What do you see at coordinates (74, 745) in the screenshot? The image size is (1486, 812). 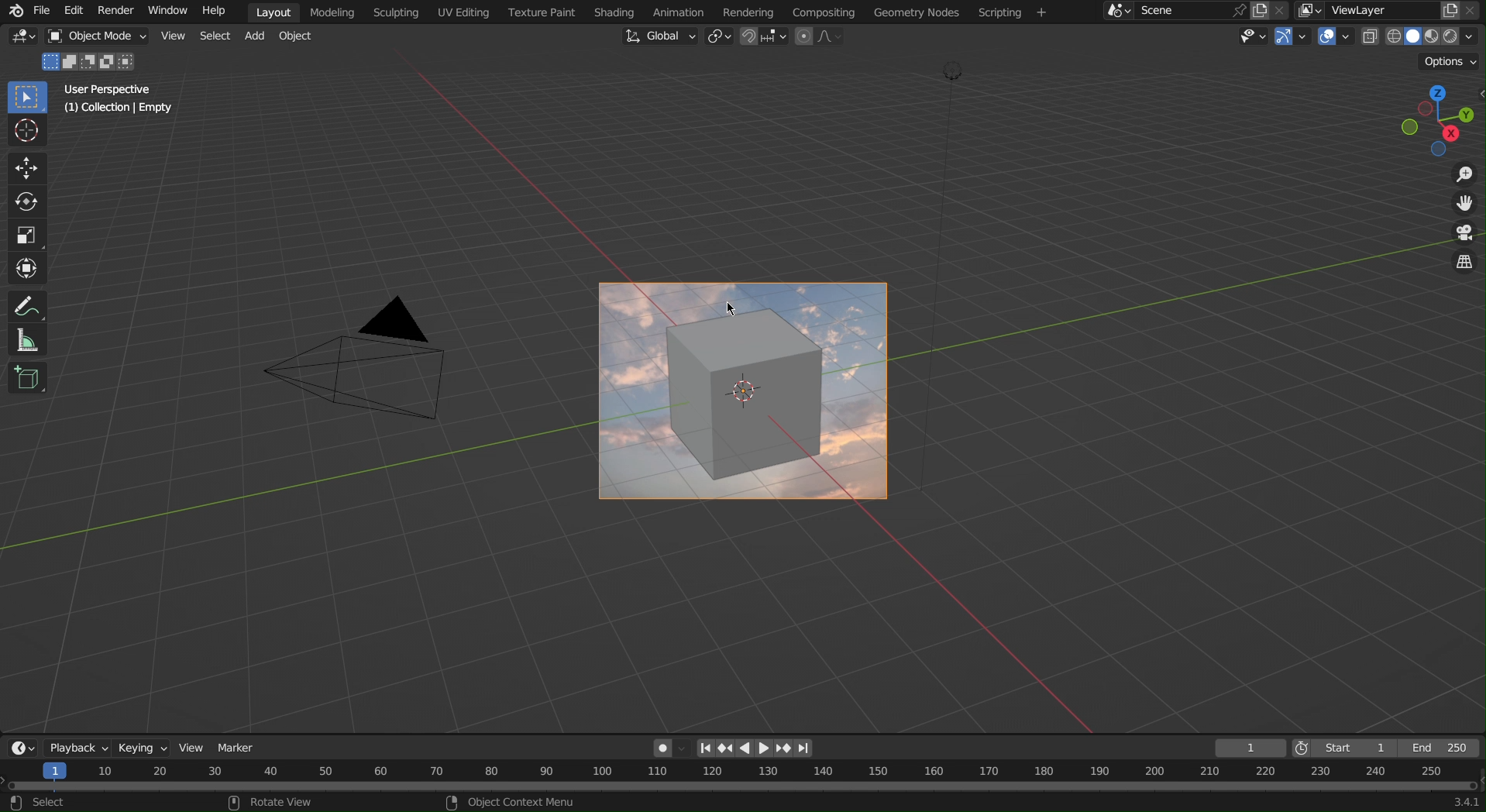 I see `Playback ` at bounding box center [74, 745].